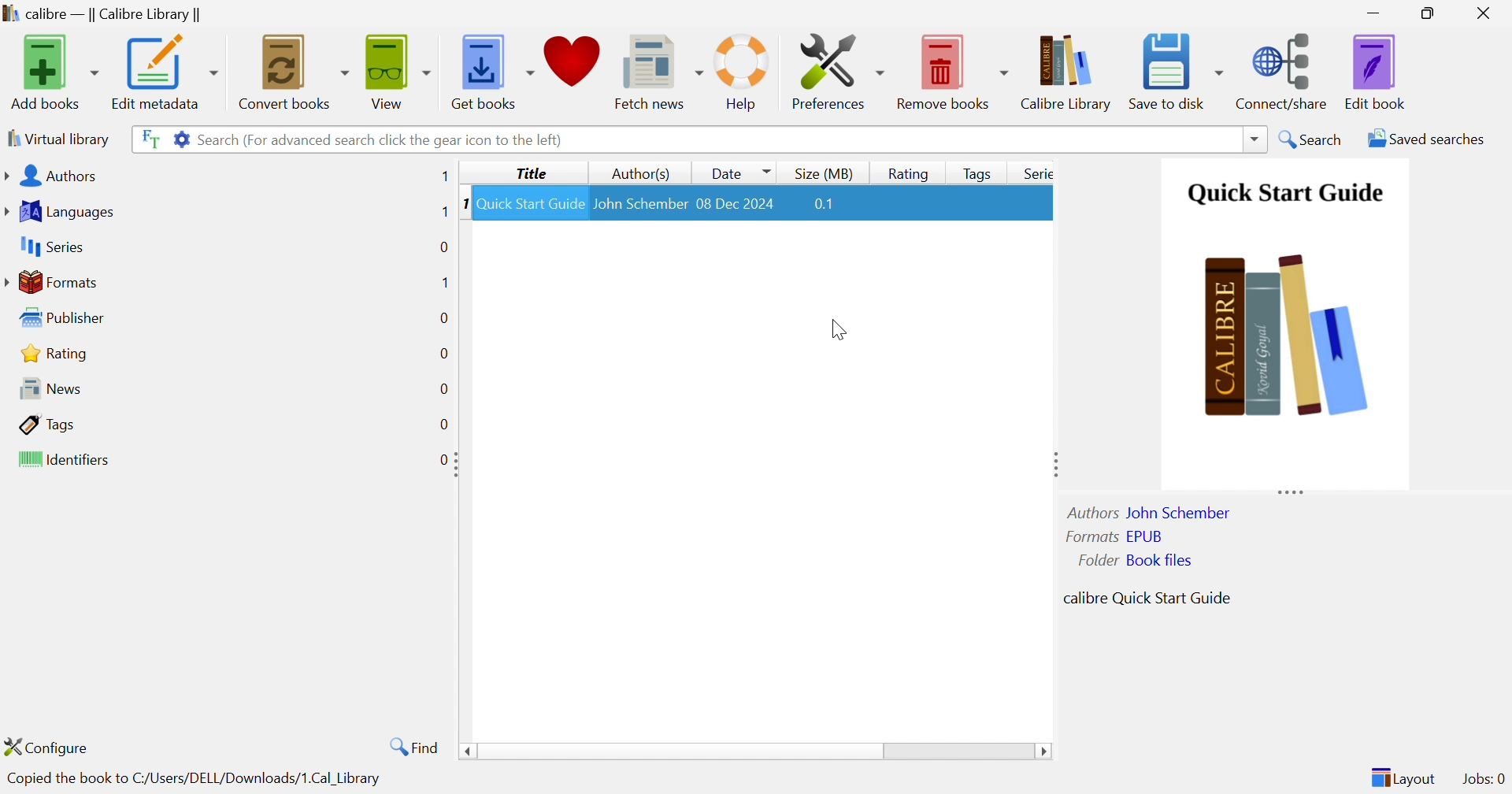 This screenshot has width=1512, height=794. What do you see at coordinates (50, 246) in the screenshot?
I see `Series` at bounding box center [50, 246].